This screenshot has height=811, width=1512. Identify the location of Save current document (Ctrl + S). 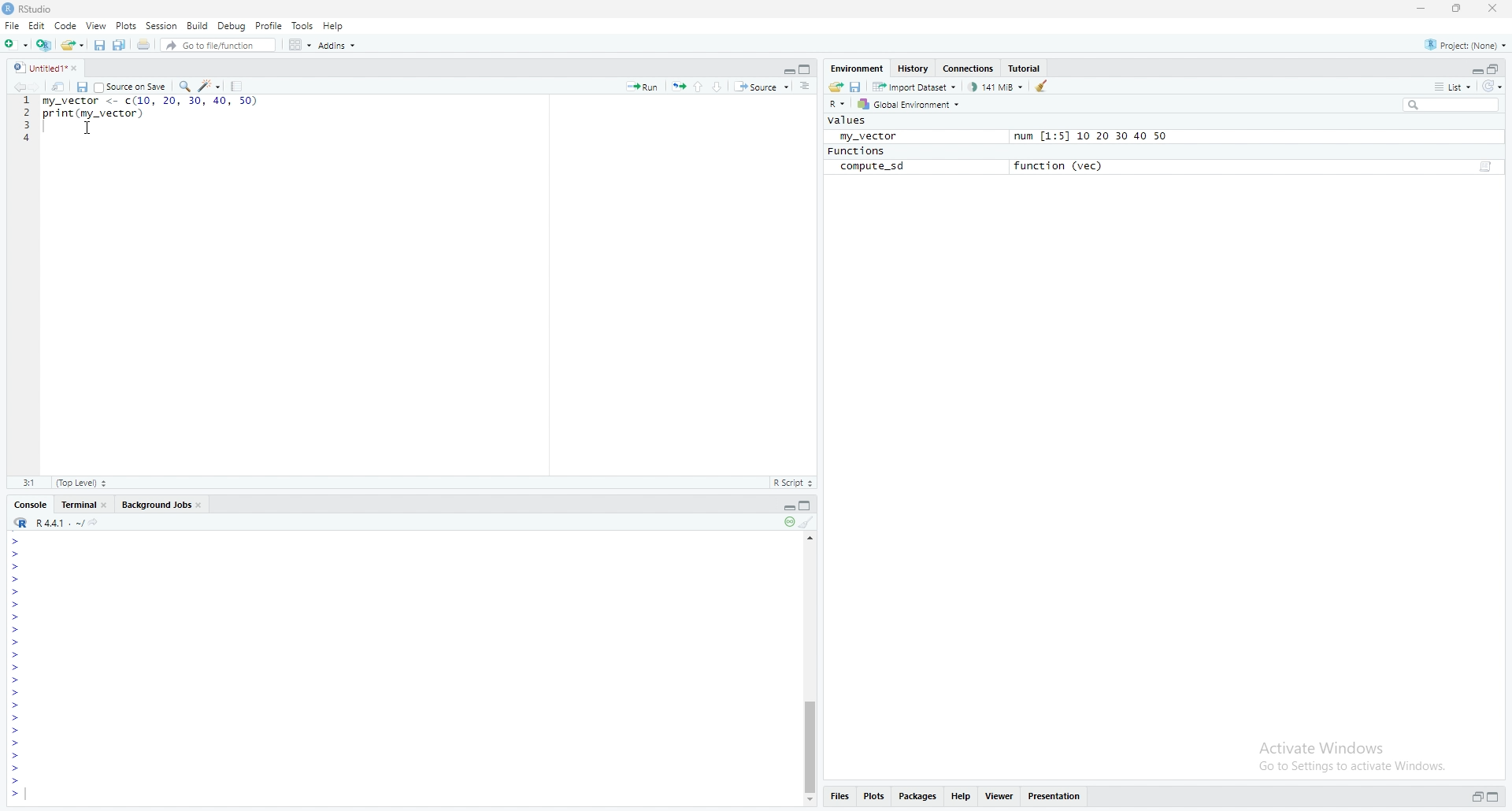
(99, 45).